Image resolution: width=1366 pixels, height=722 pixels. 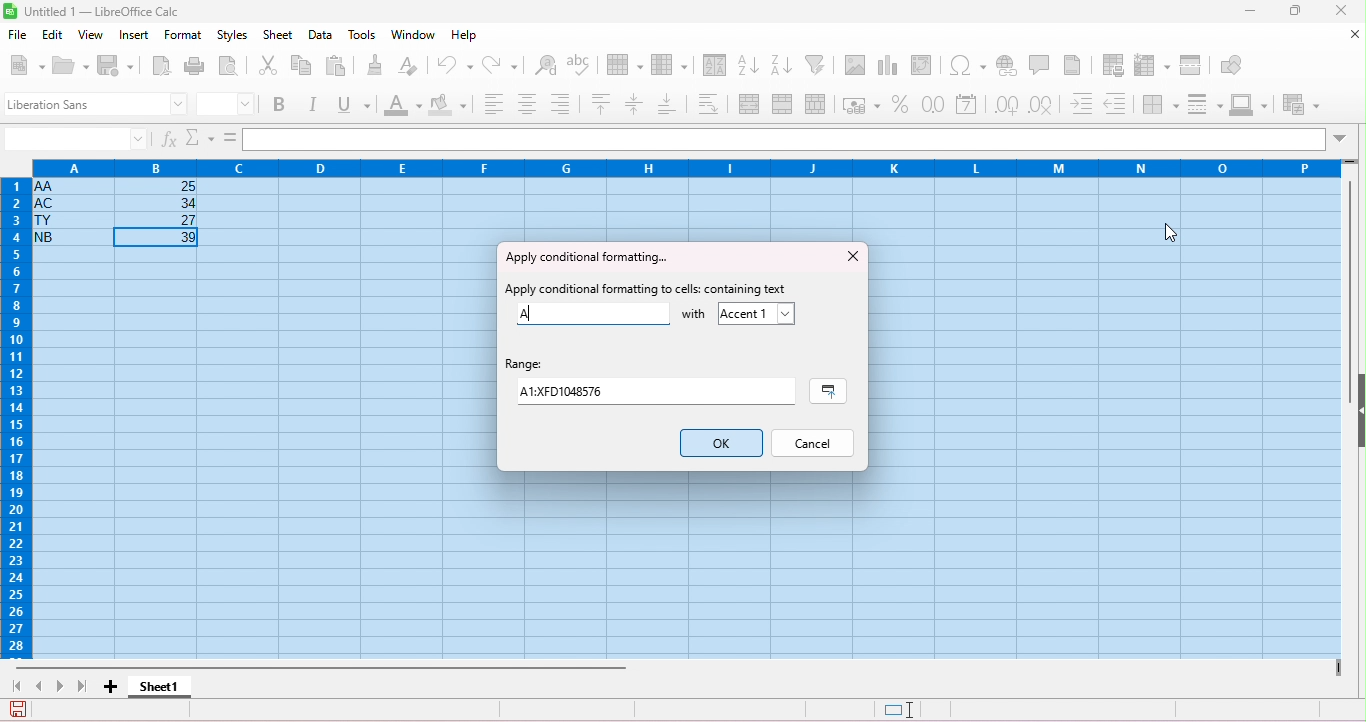 I want to click on add decimal, so click(x=1006, y=105).